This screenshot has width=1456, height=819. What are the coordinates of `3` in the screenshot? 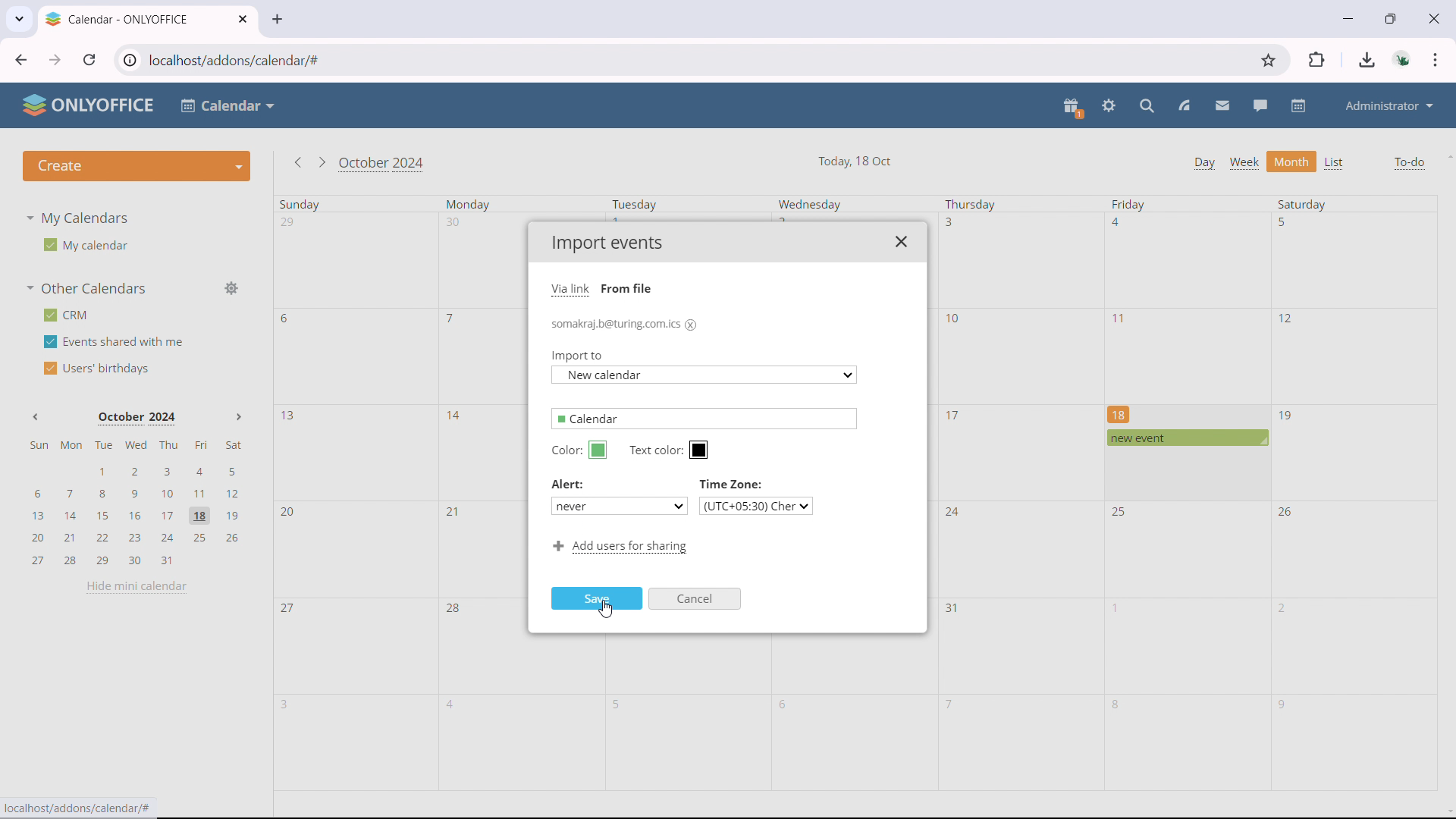 It's located at (949, 221).